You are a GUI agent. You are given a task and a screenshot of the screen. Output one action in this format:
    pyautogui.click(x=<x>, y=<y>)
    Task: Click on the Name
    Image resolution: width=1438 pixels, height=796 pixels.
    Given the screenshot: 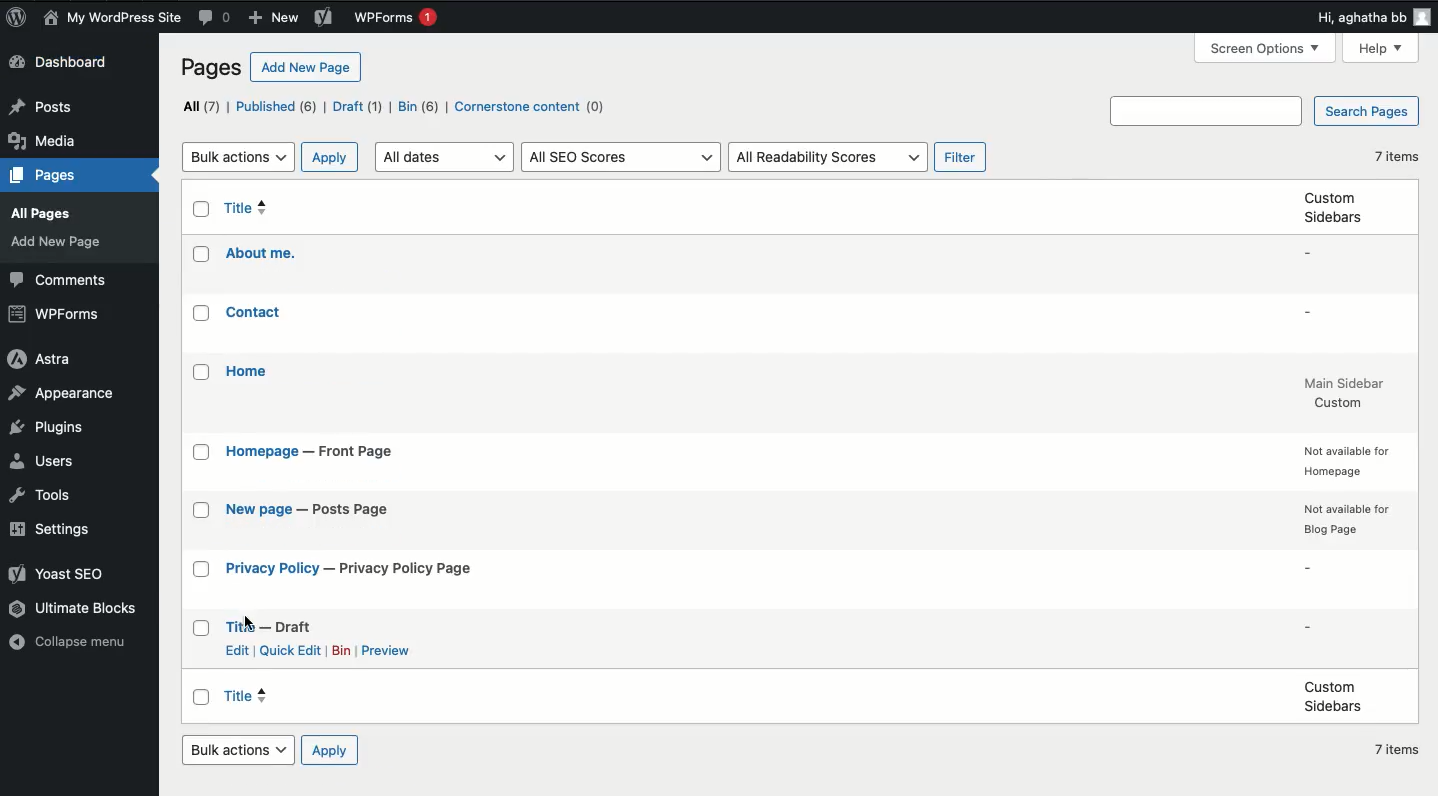 What is the action you would take?
    pyautogui.click(x=110, y=17)
    